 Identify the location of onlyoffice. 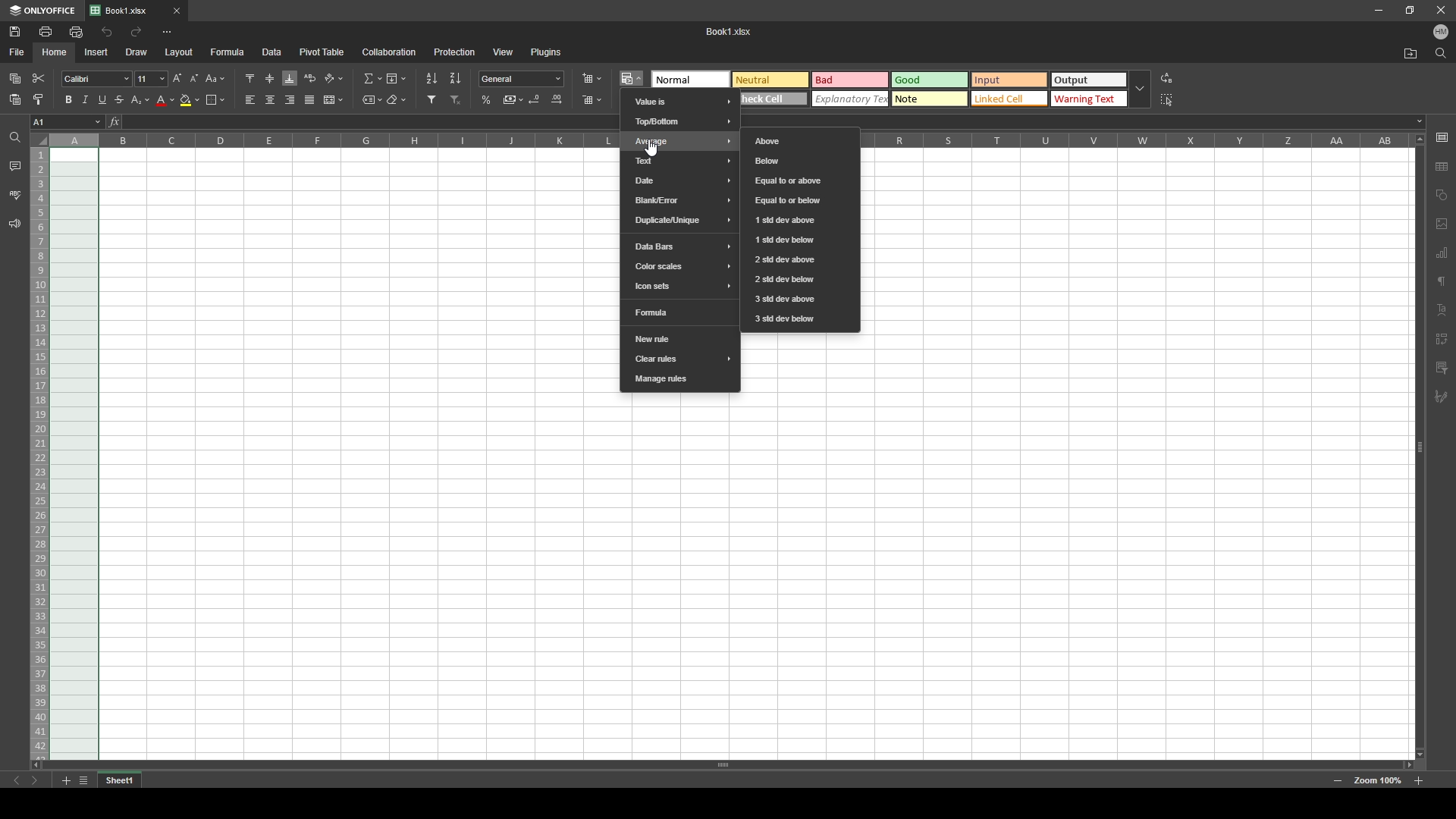
(43, 11).